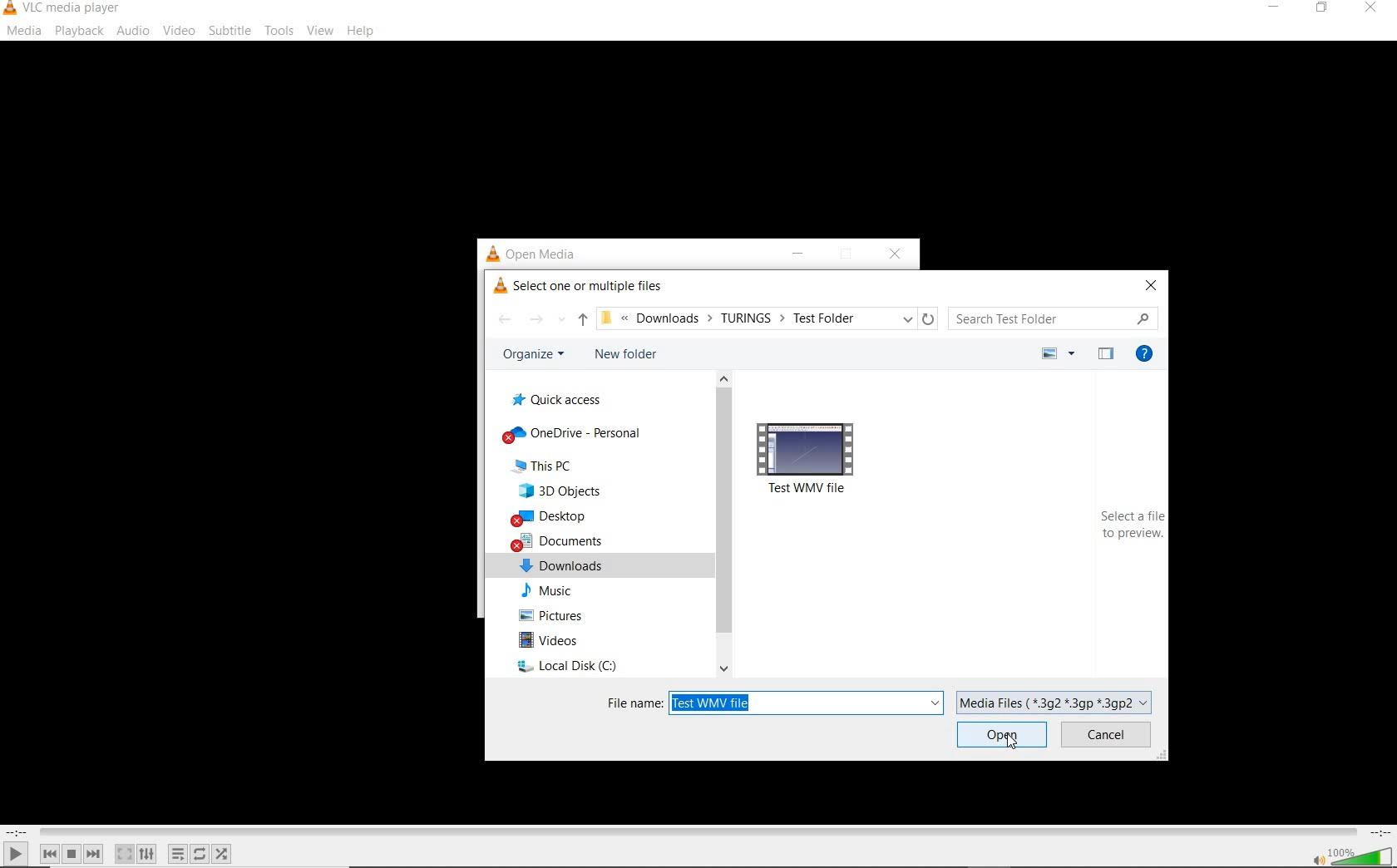 This screenshot has width=1397, height=868. Describe the element at coordinates (179, 31) in the screenshot. I see `video` at that location.